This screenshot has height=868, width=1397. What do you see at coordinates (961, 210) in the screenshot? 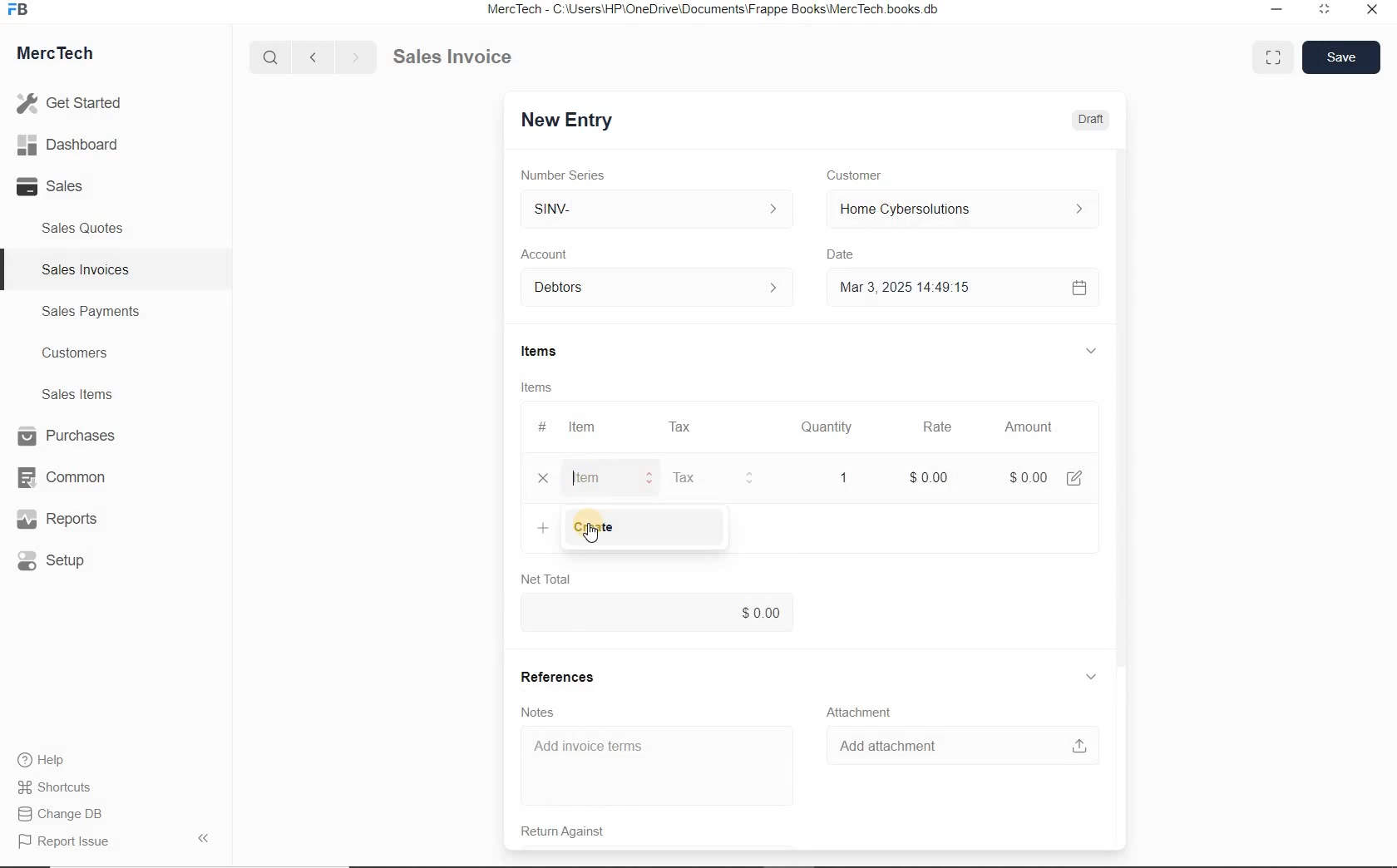
I see `Home Cyber Solutions` at bounding box center [961, 210].